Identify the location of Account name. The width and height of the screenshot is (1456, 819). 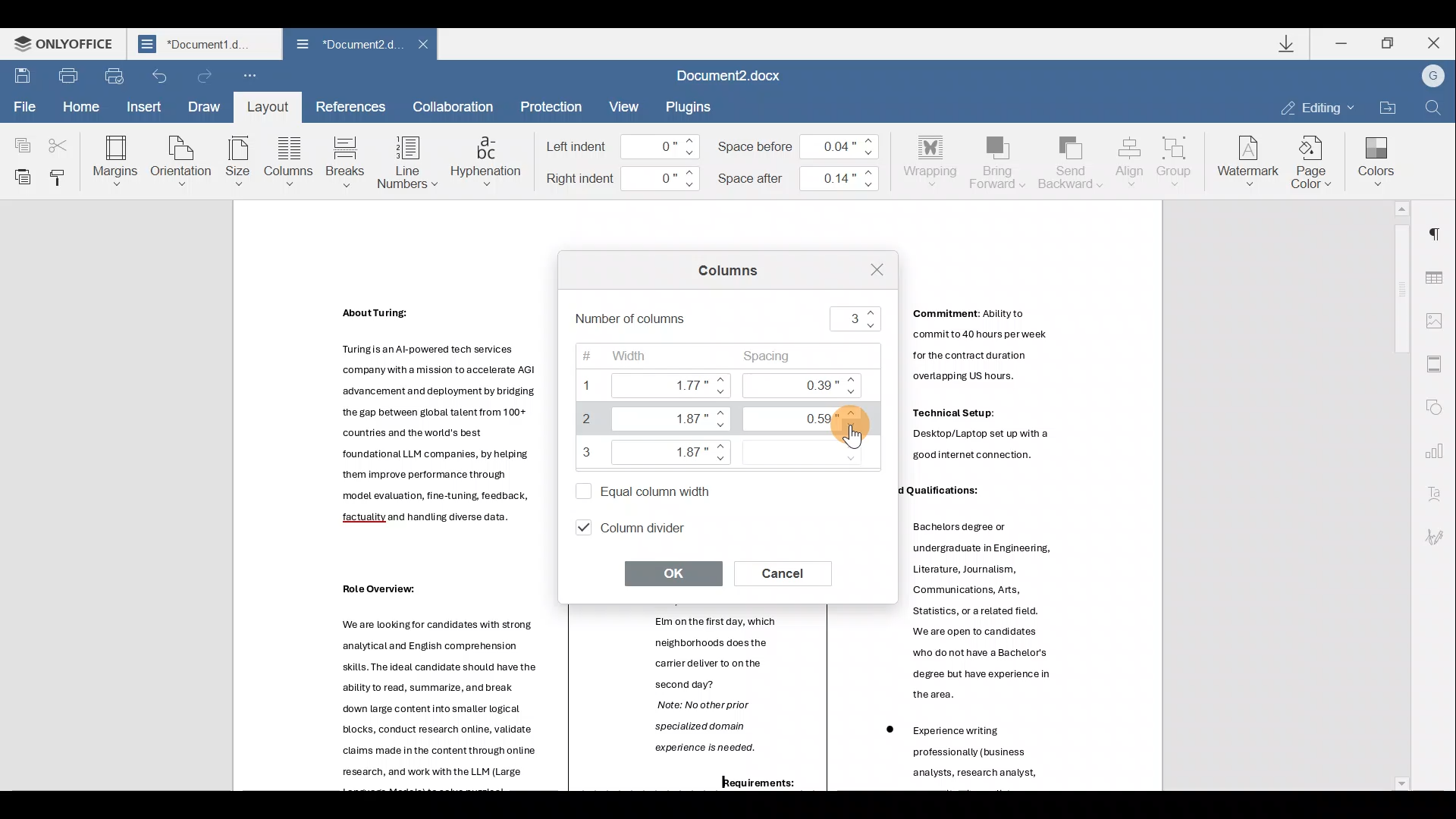
(1432, 77).